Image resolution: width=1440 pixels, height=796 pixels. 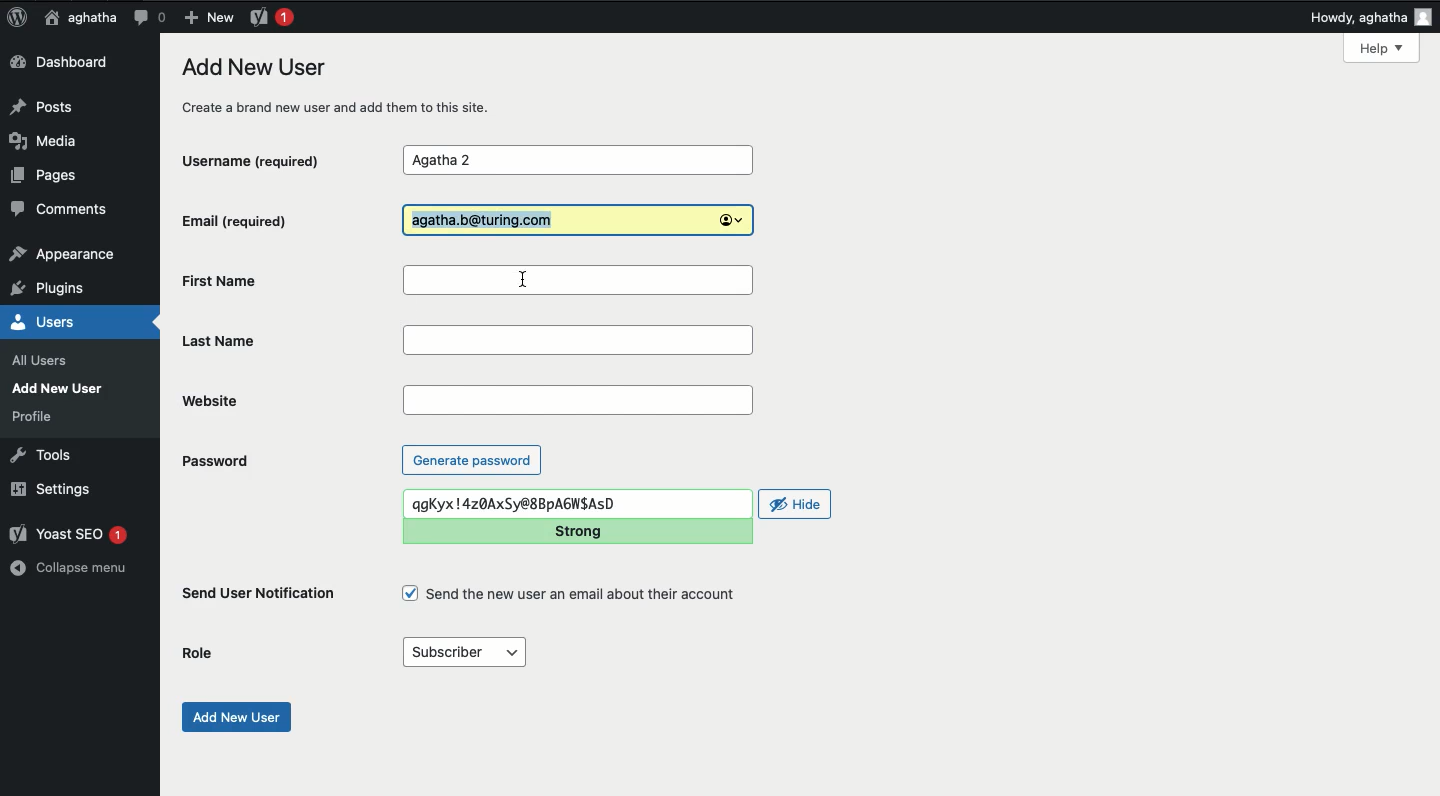 I want to click on aghatha, so click(x=77, y=17).